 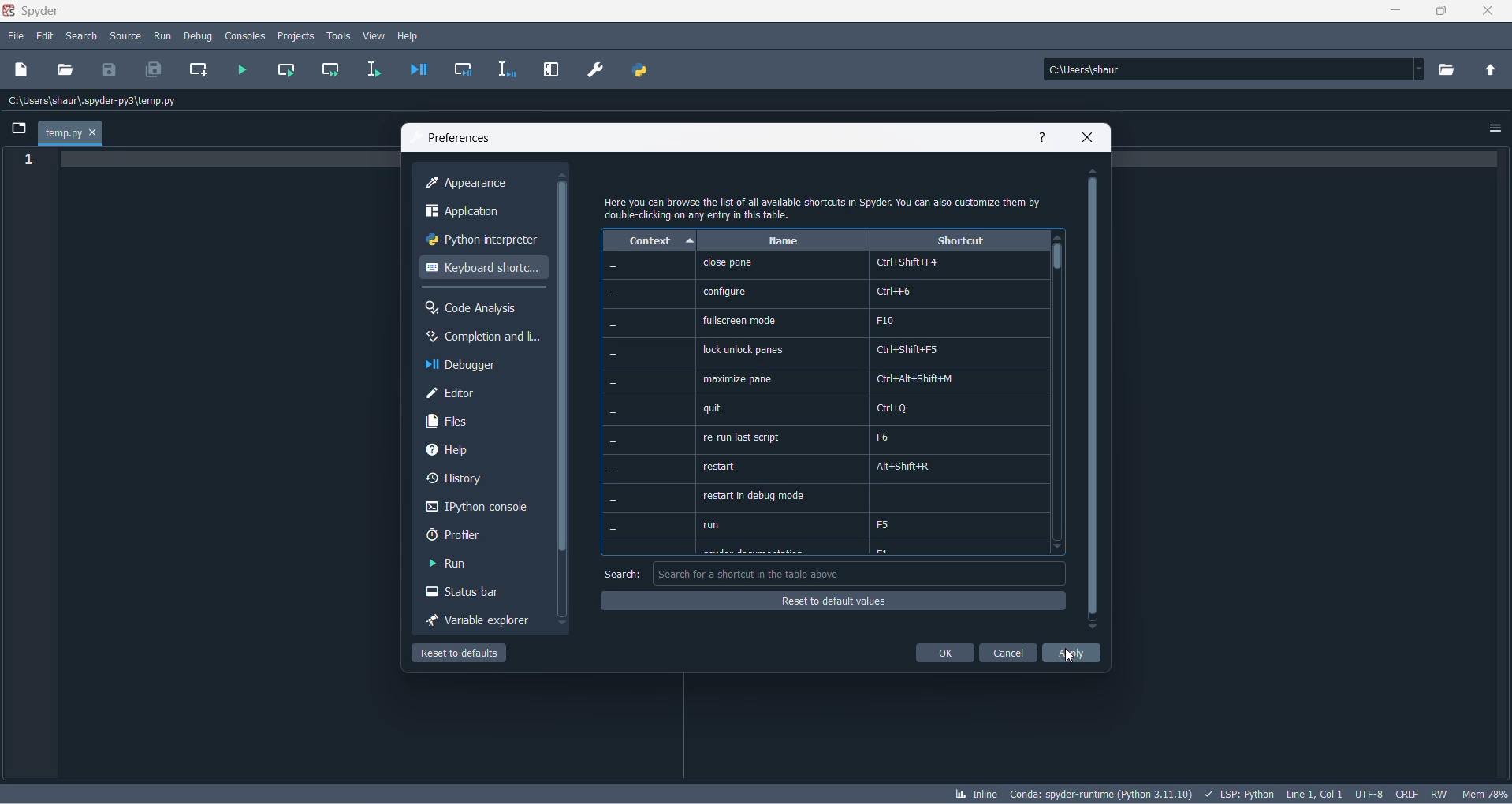 What do you see at coordinates (1092, 628) in the screenshot?
I see `move down` at bounding box center [1092, 628].